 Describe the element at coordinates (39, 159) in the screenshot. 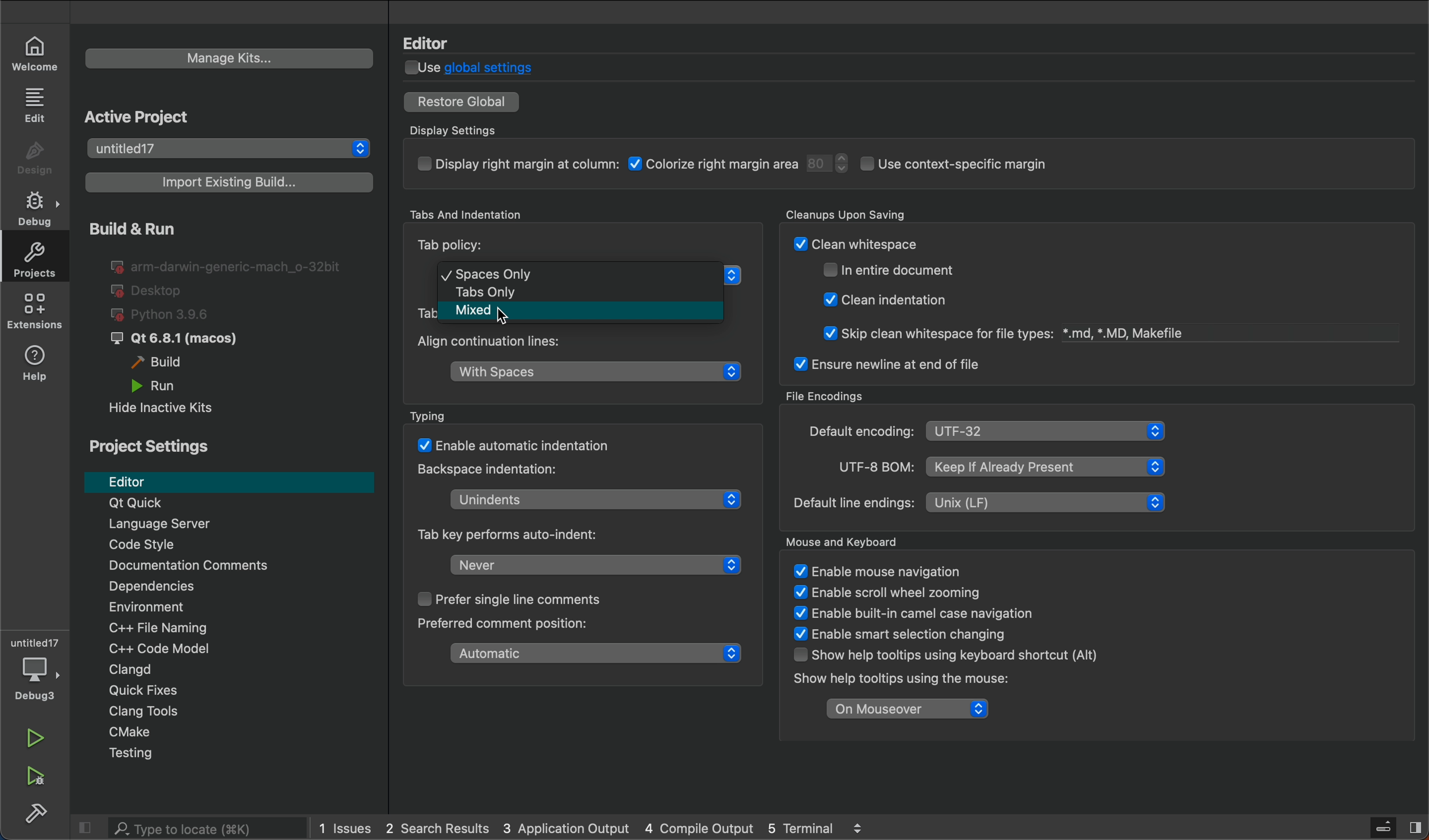

I see `design` at that location.